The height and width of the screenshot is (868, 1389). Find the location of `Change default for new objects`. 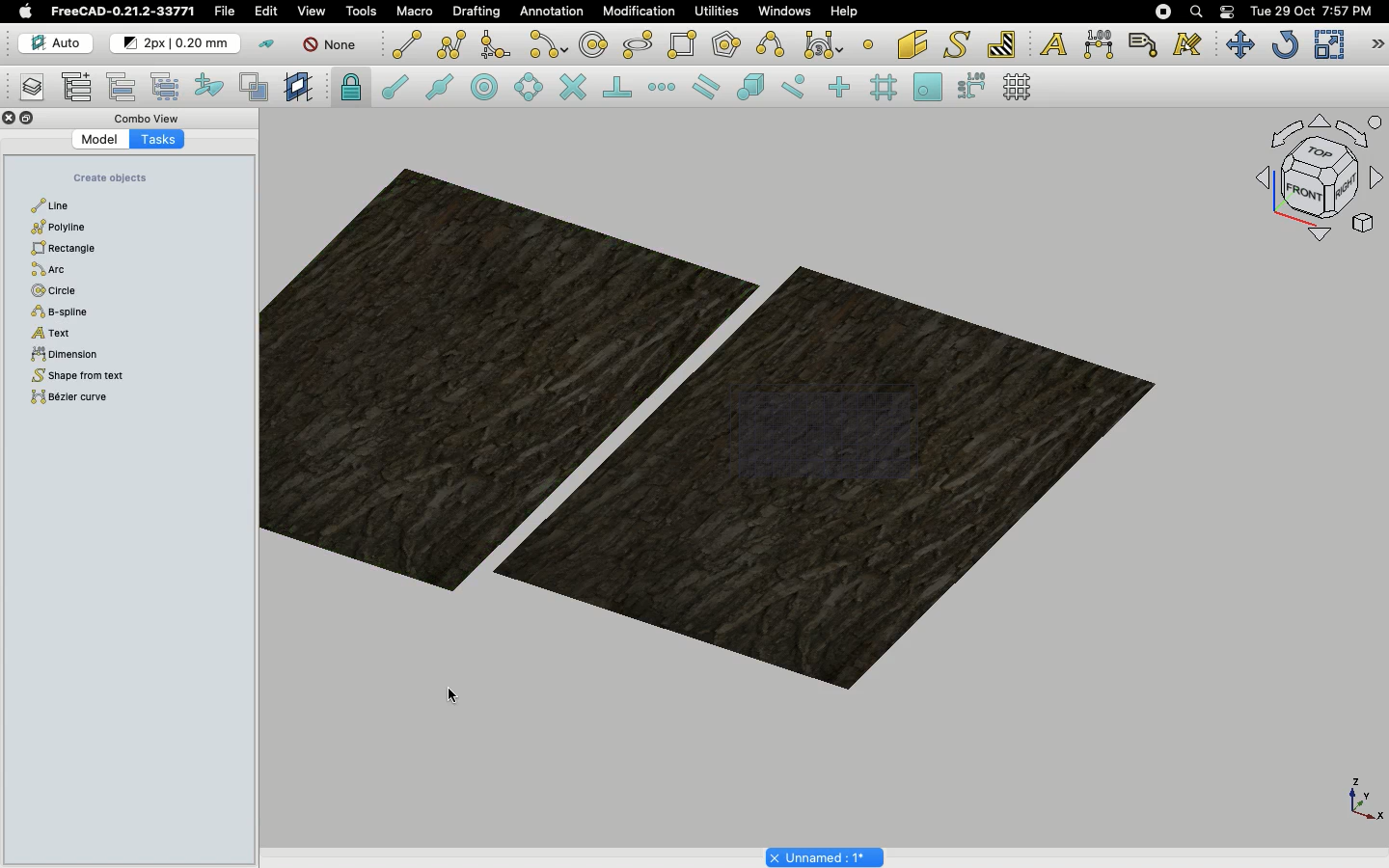

Change default for new objects is located at coordinates (177, 44).